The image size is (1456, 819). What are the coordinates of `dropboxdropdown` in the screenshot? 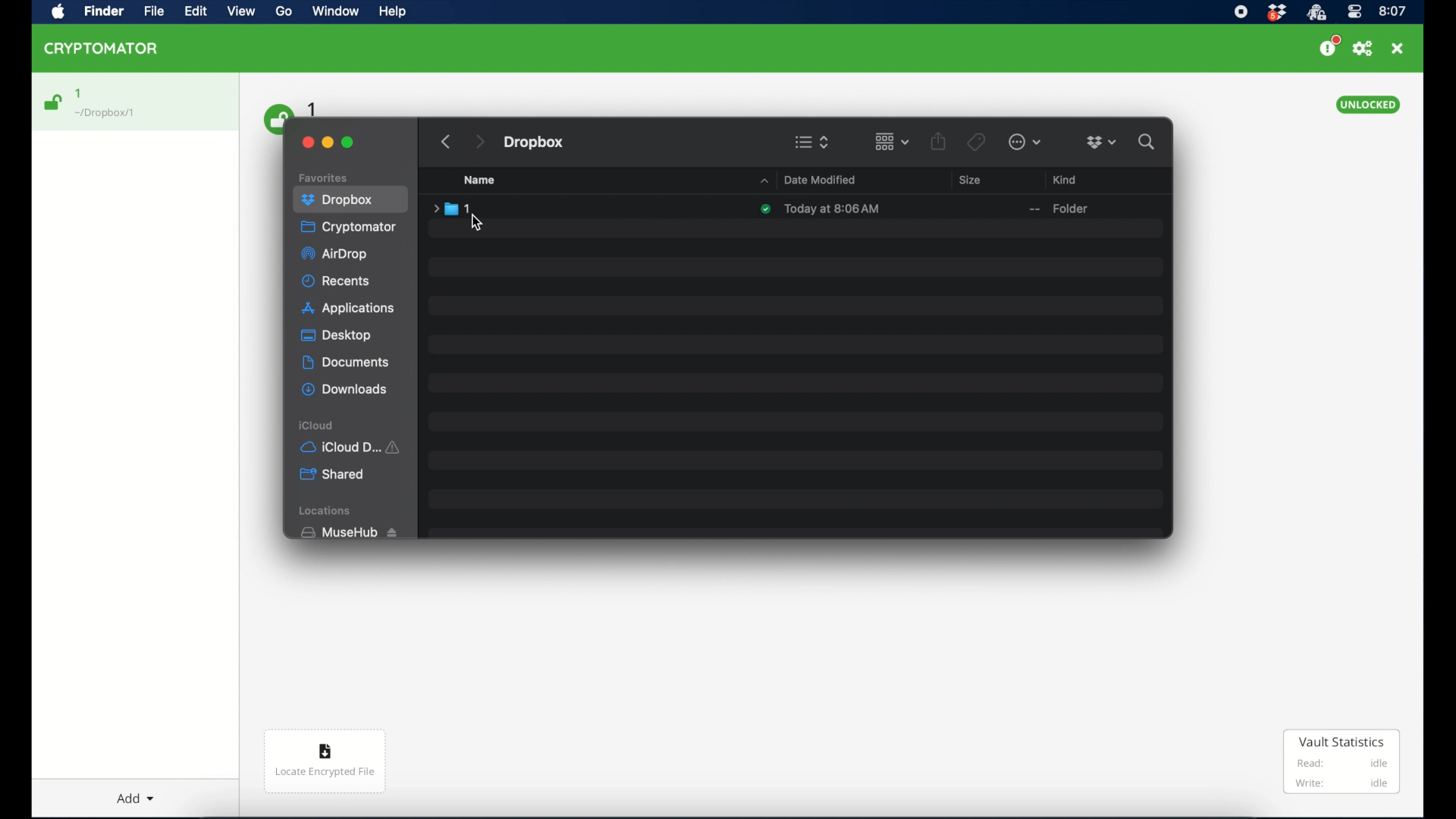 It's located at (1101, 143).